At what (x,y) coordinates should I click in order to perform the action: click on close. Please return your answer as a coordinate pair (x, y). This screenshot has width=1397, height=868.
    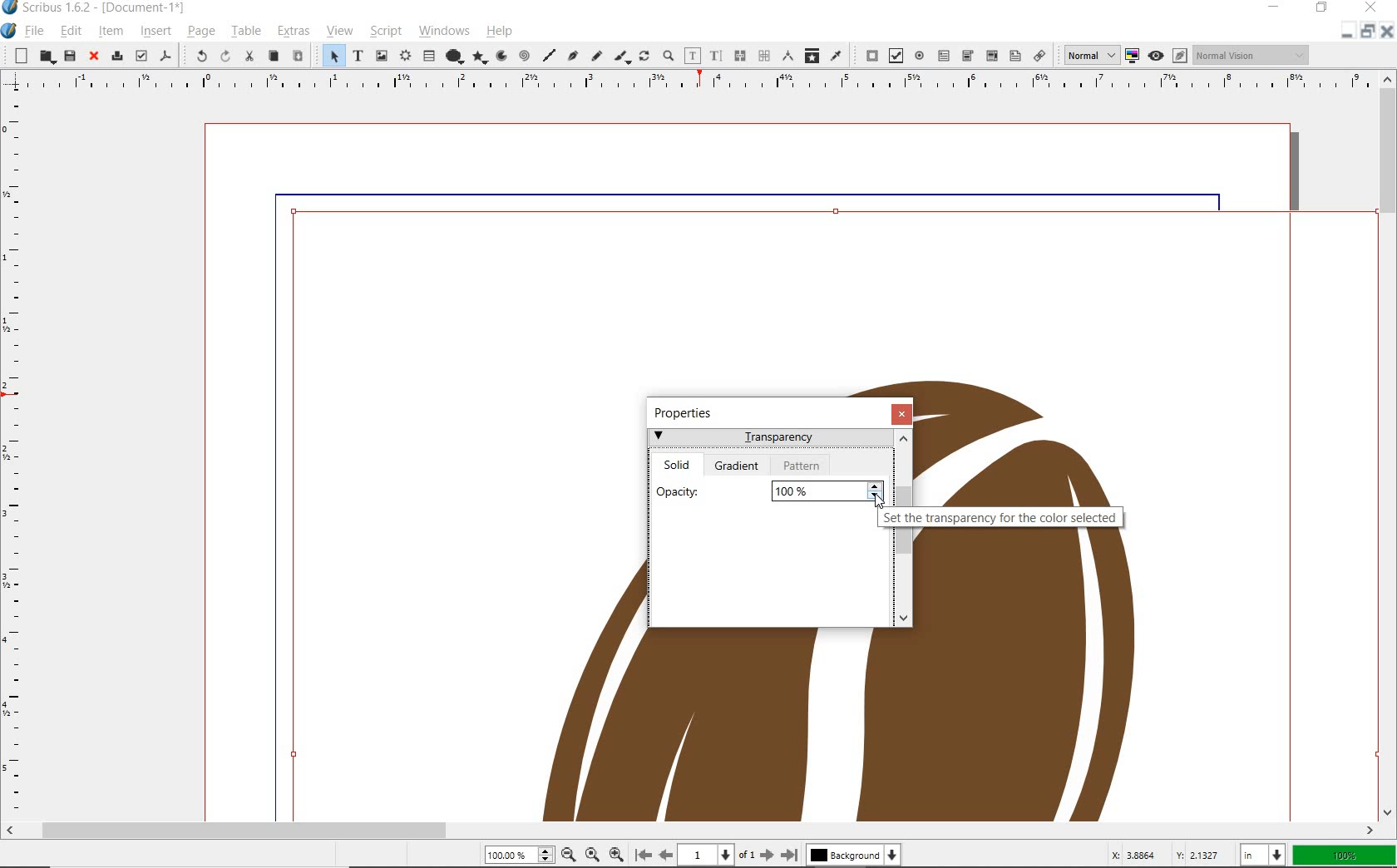
    Looking at the image, I should click on (904, 414).